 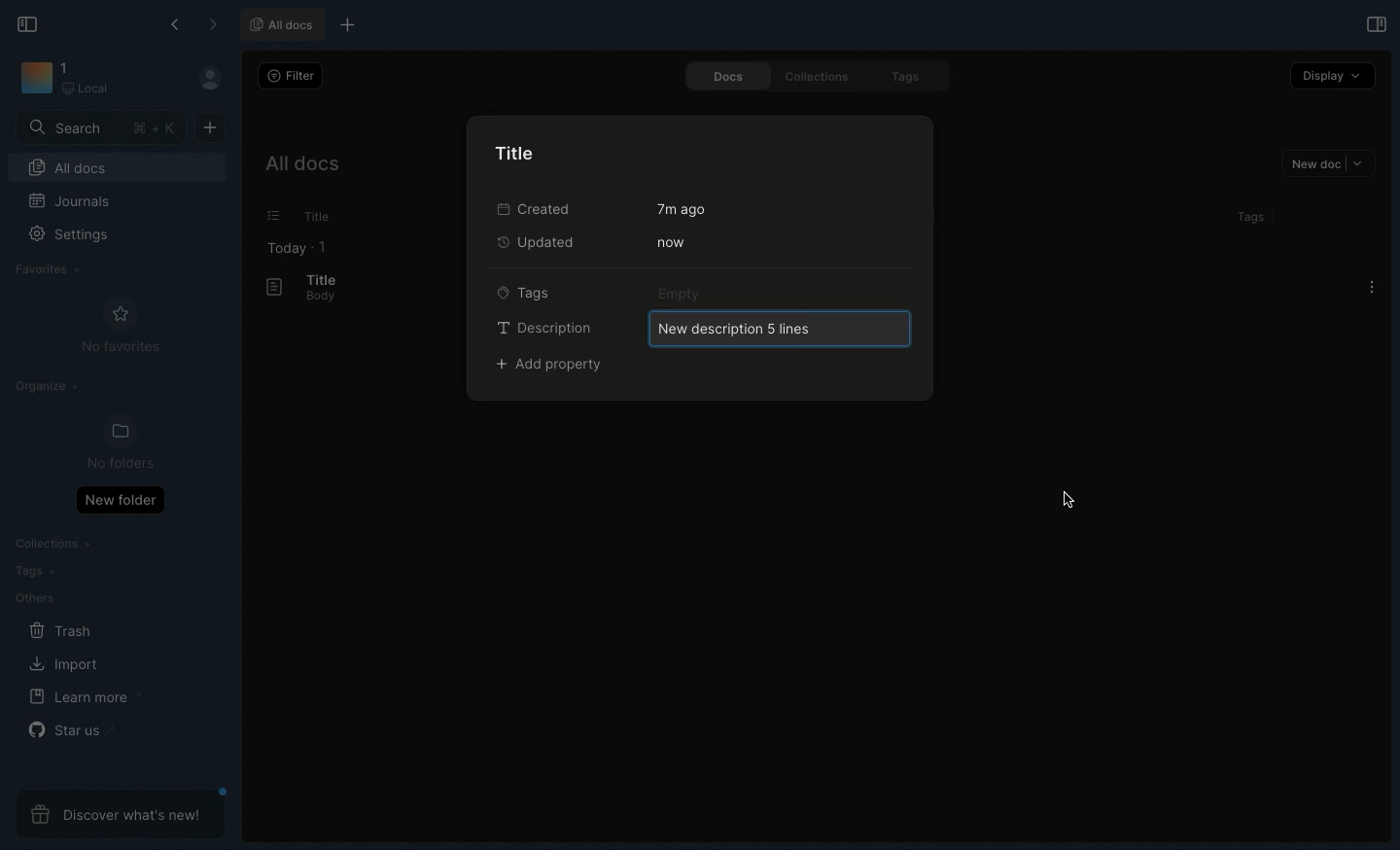 What do you see at coordinates (282, 23) in the screenshot?
I see `All docs` at bounding box center [282, 23].